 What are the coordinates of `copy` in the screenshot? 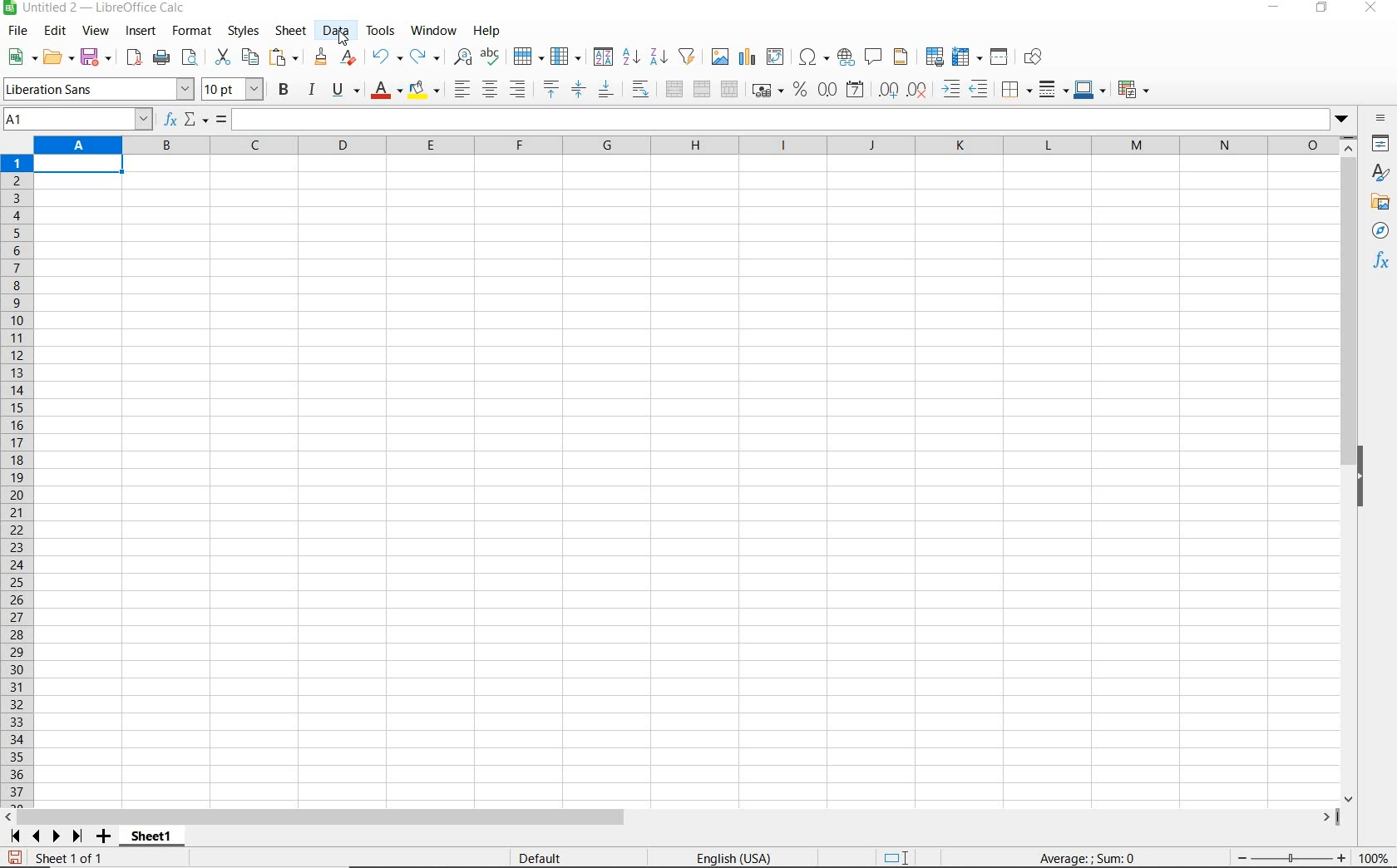 It's located at (251, 57).